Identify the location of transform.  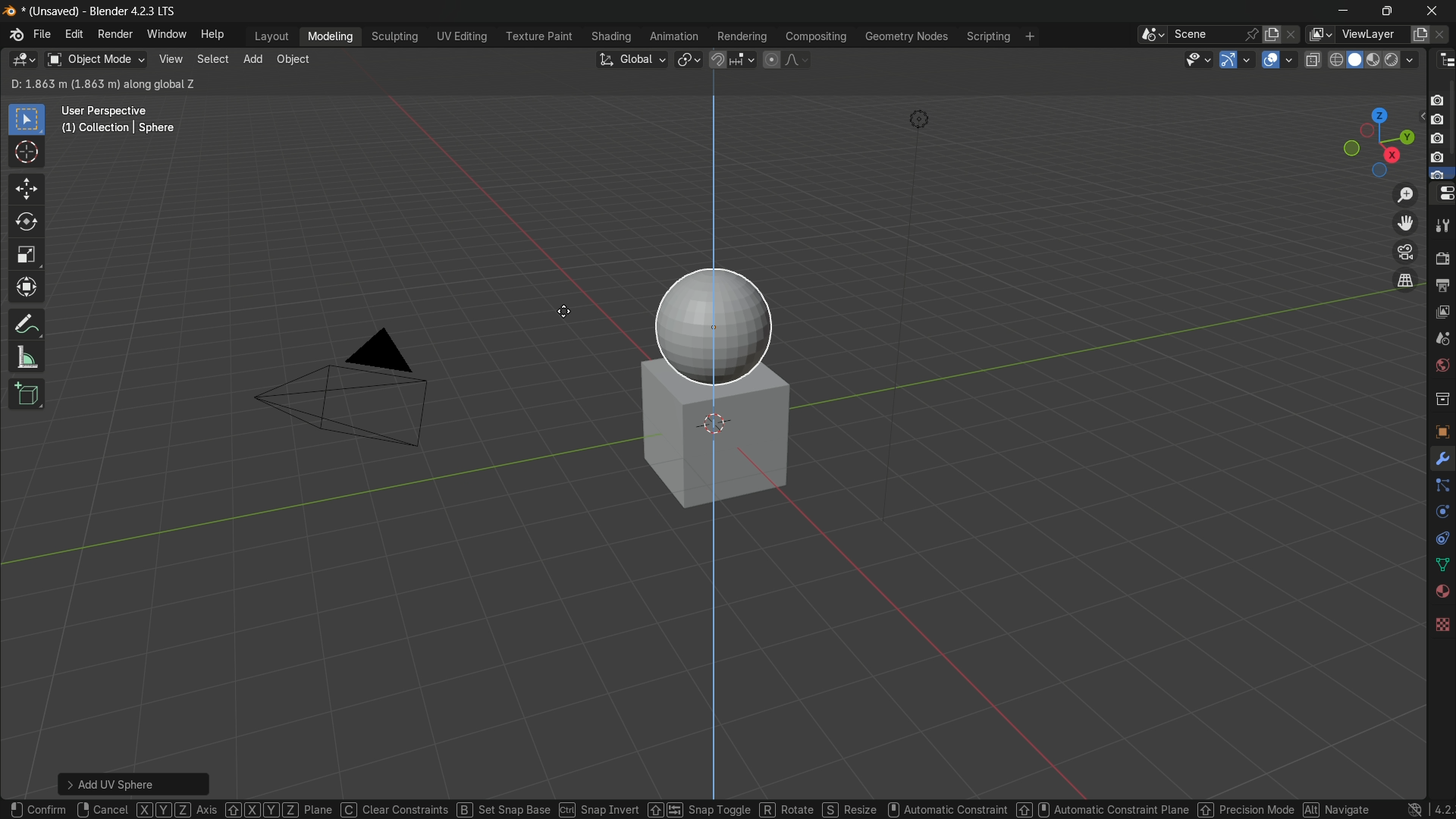
(27, 287).